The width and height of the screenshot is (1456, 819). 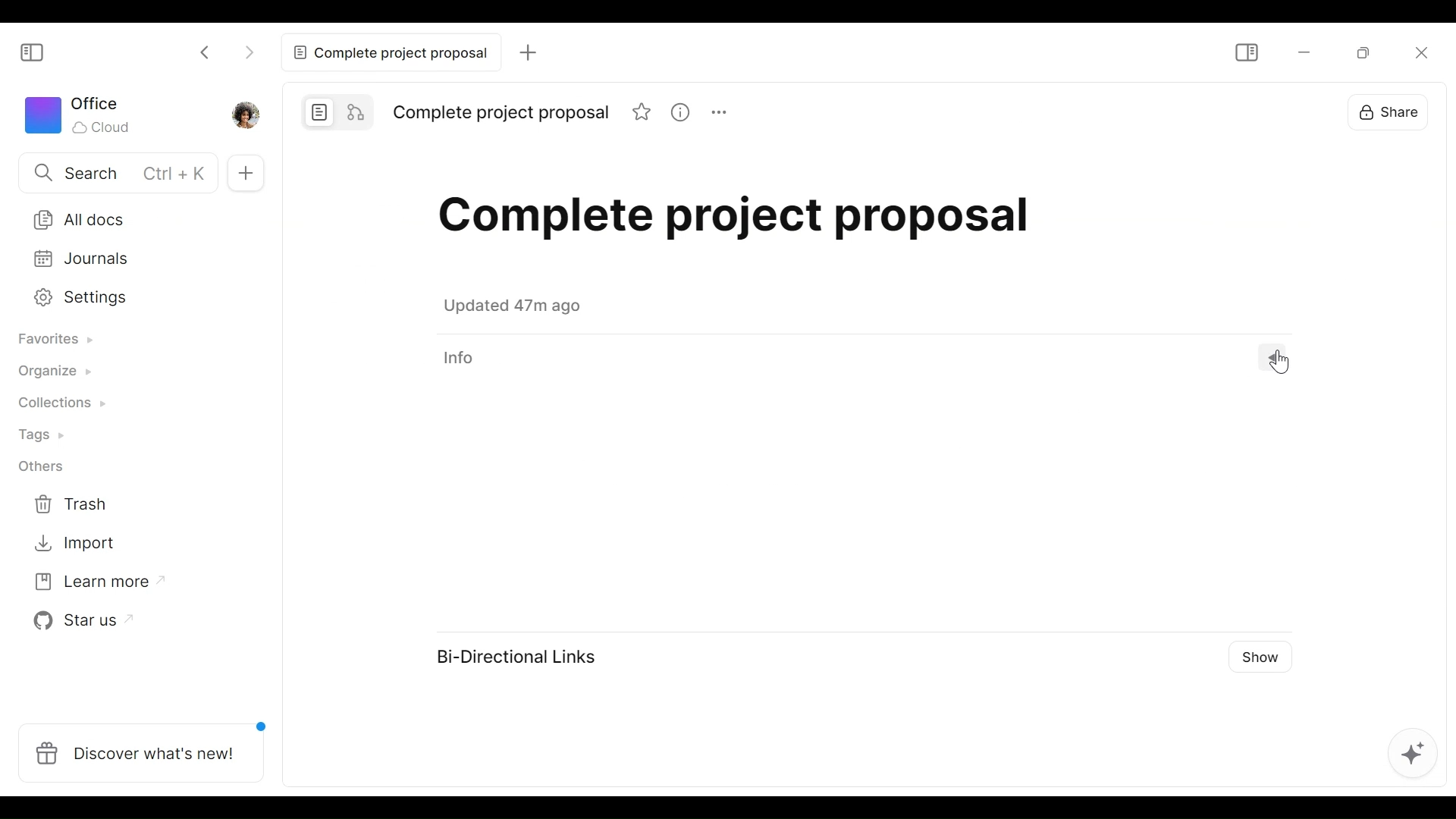 What do you see at coordinates (1302, 52) in the screenshot?
I see `minimize` at bounding box center [1302, 52].